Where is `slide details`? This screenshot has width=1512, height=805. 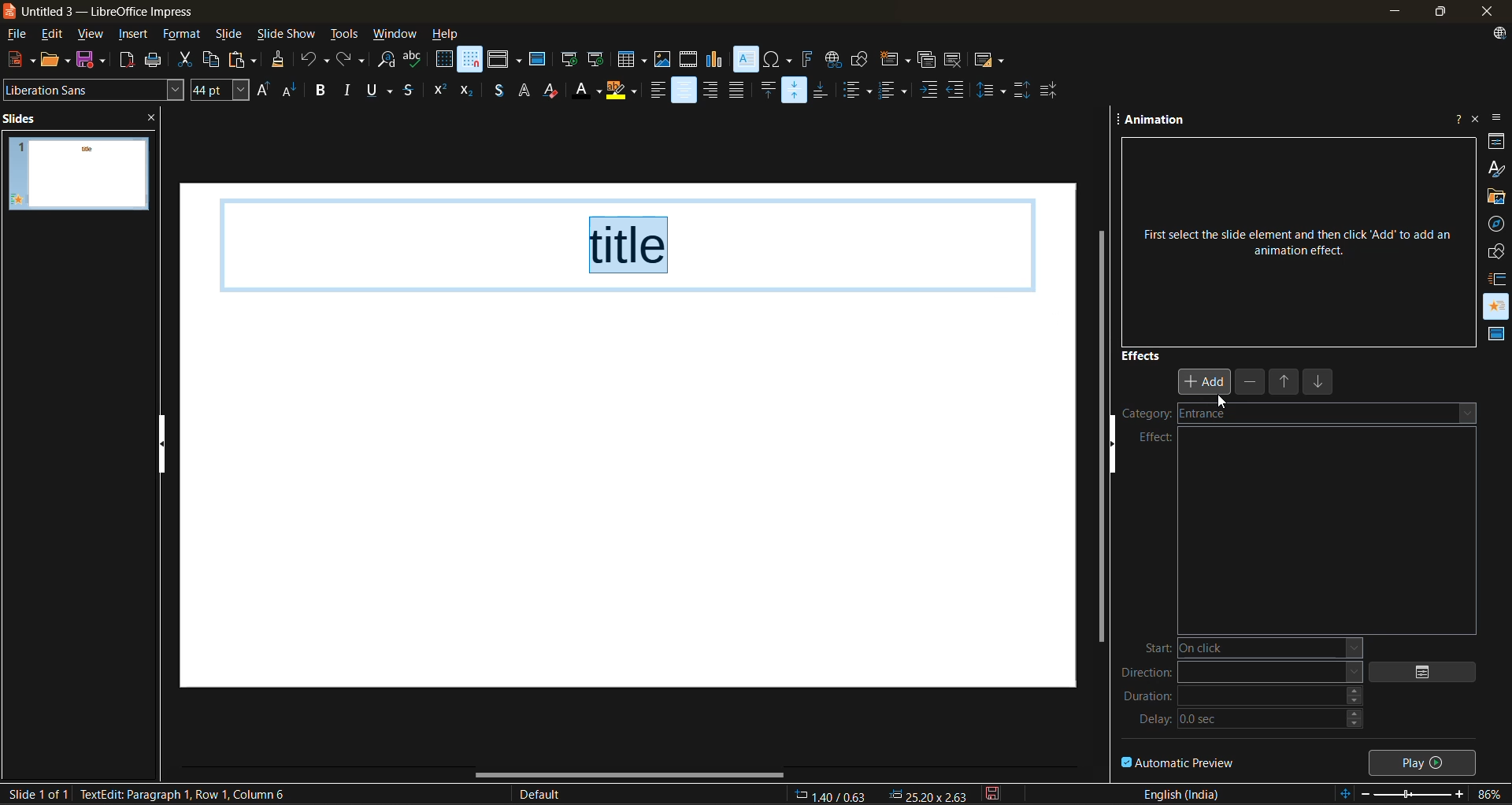 slide details is located at coordinates (37, 794).